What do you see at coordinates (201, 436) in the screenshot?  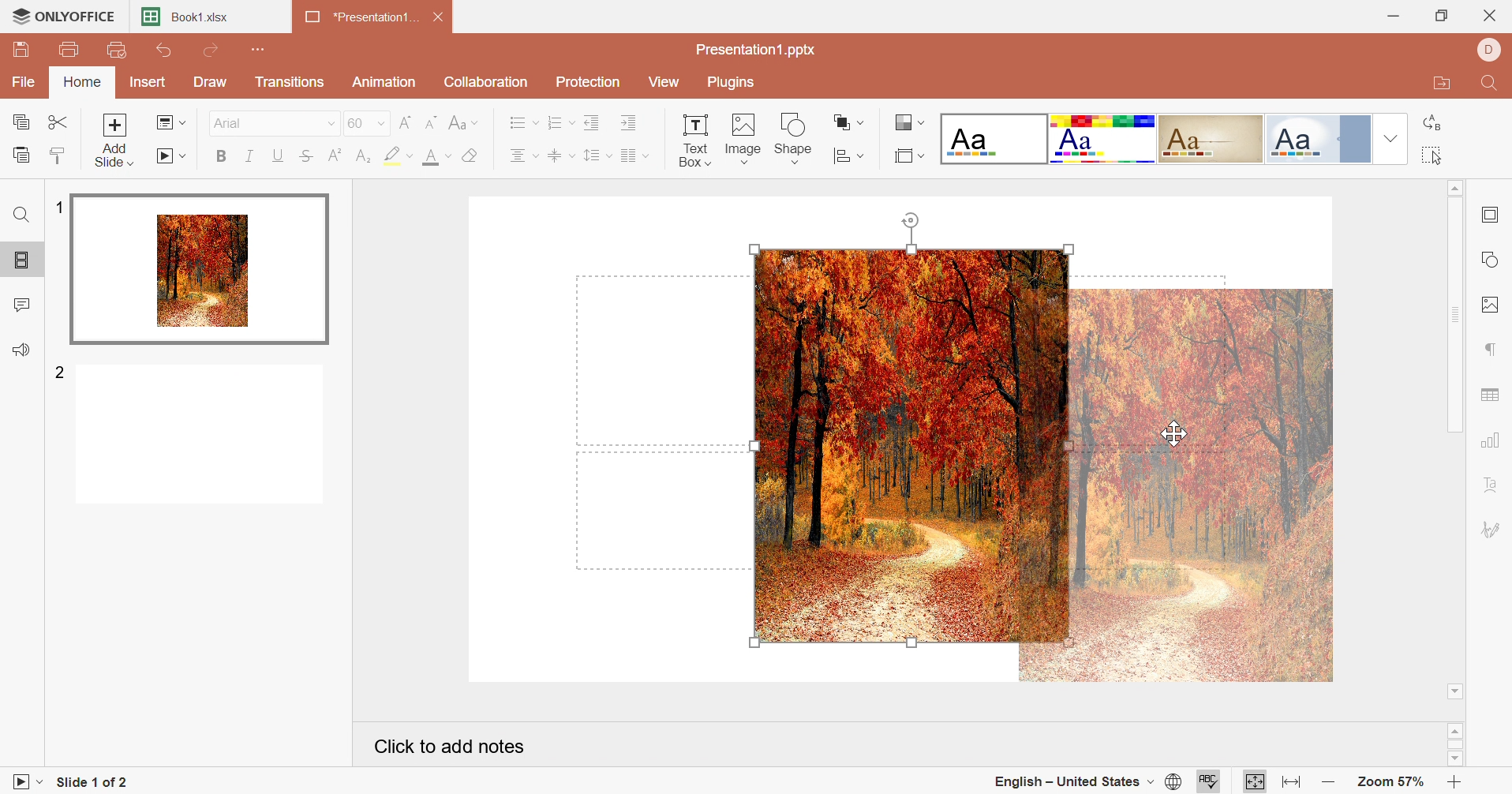 I see `Slide 2` at bounding box center [201, 436].